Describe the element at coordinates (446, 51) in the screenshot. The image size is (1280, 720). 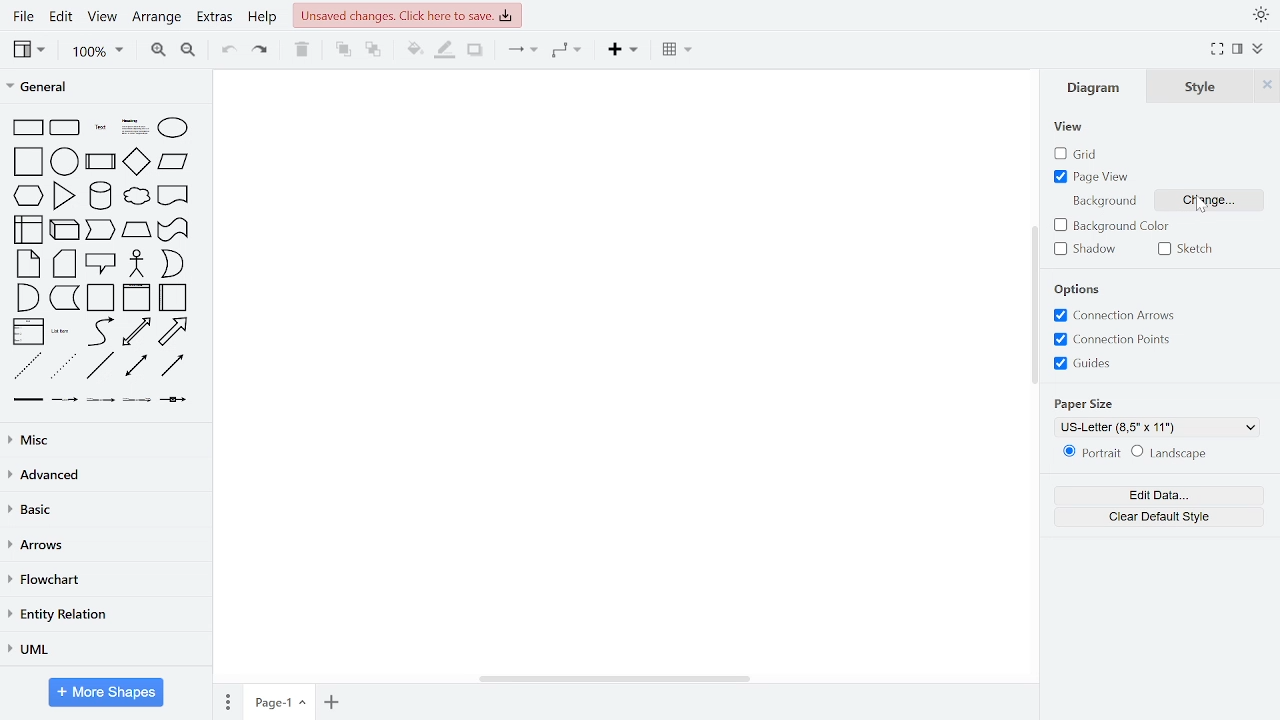
I see `fill line` at that location.